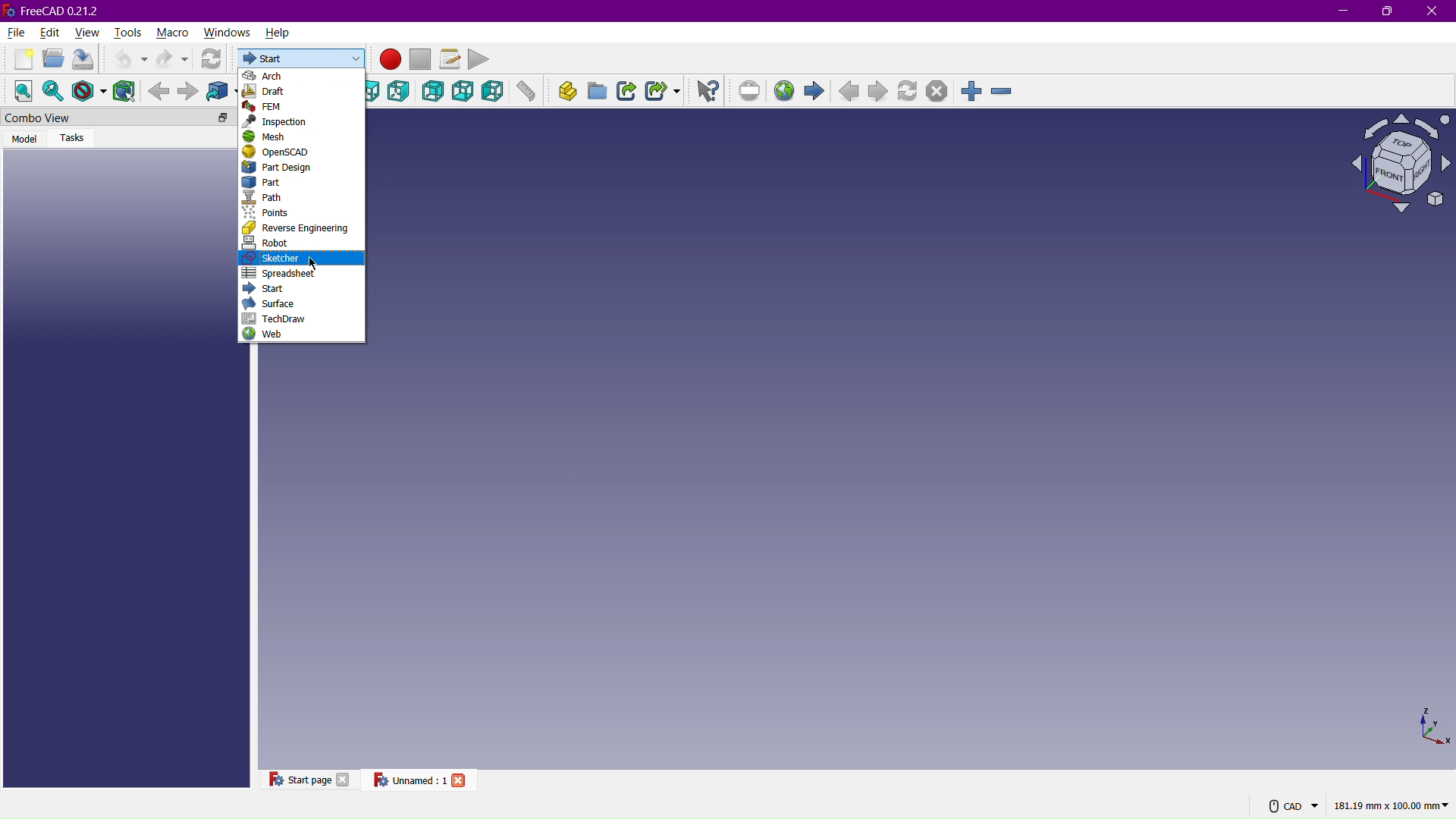 This screenshot has height=819, width=1456. I want to click on floating tab, so click(221, 118).